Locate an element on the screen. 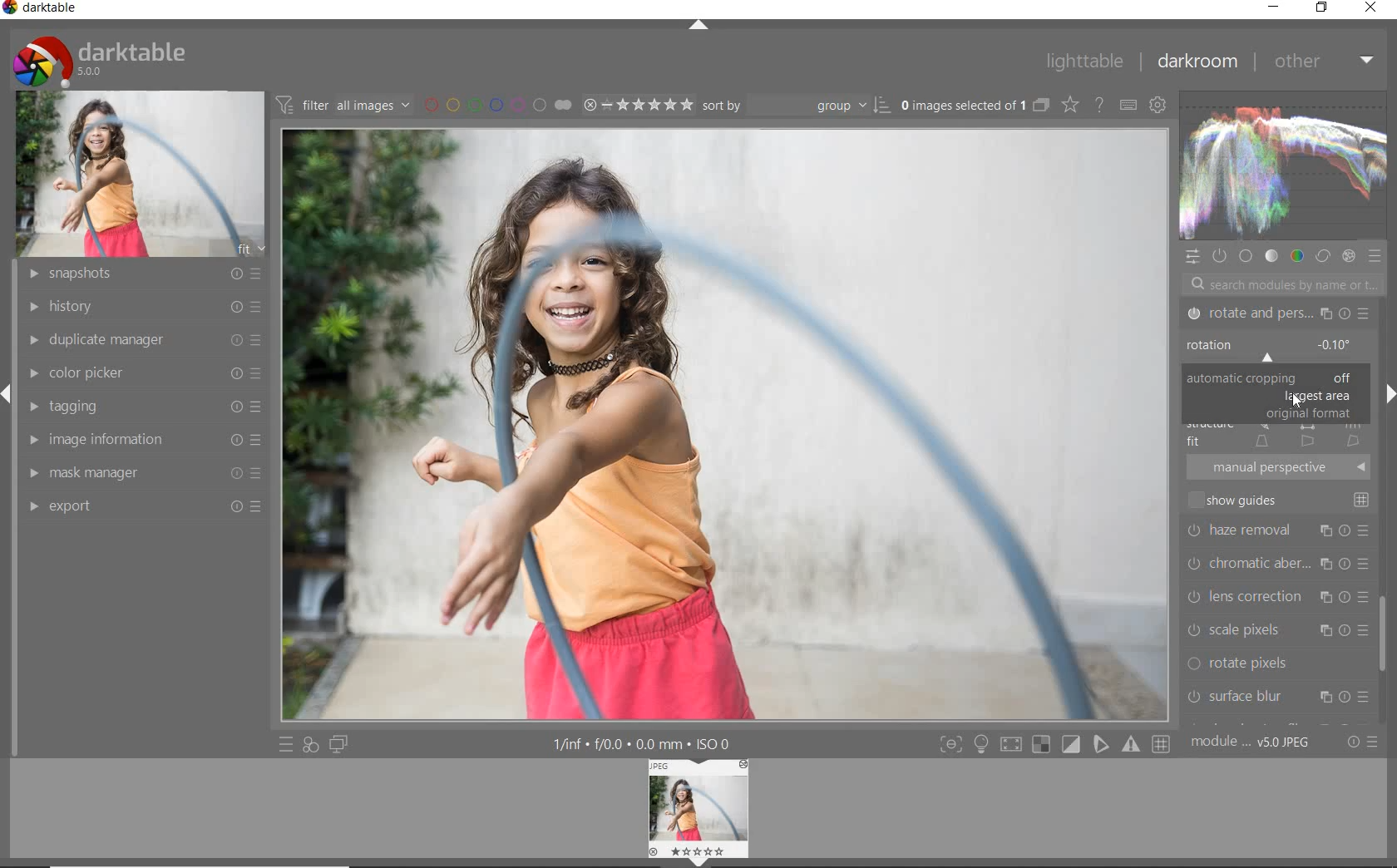 Image resolution: width=1397 pixels, height=868 pixels. selected image is located at coordinates (725, 423).